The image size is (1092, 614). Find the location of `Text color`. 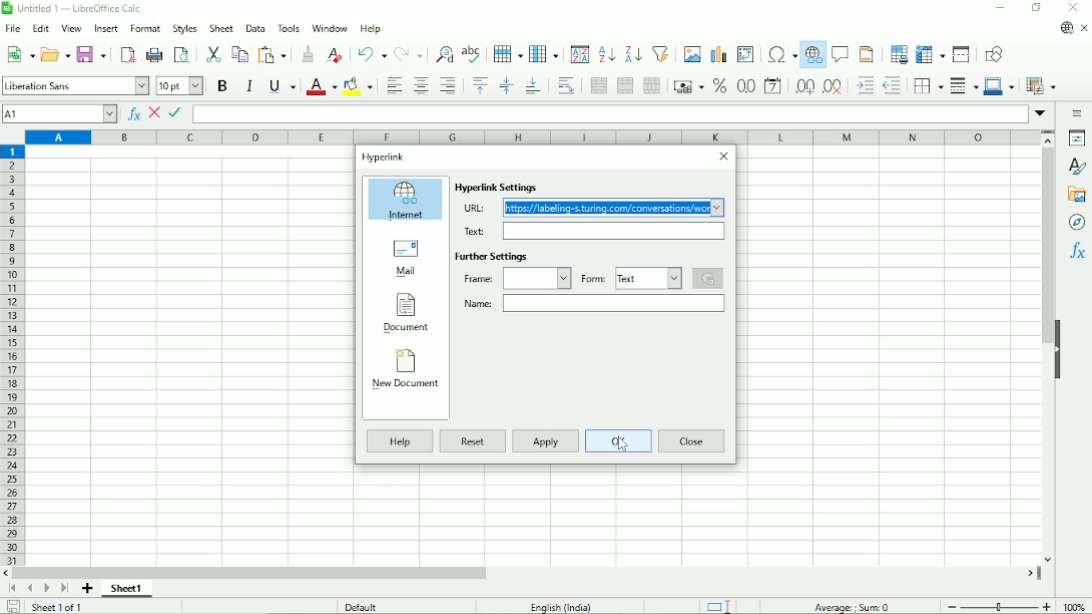

Text color is located at coordinates (322, 86).